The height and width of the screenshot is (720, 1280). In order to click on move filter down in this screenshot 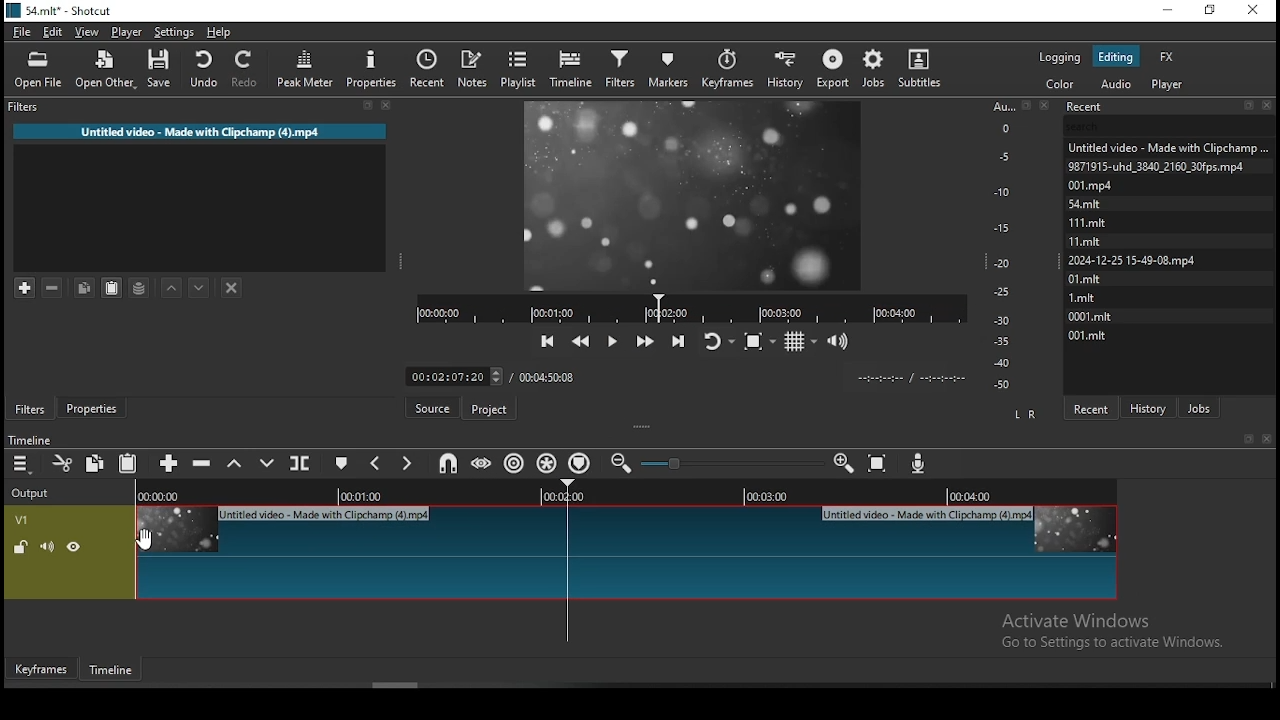, I will do `click(196, 285)`.